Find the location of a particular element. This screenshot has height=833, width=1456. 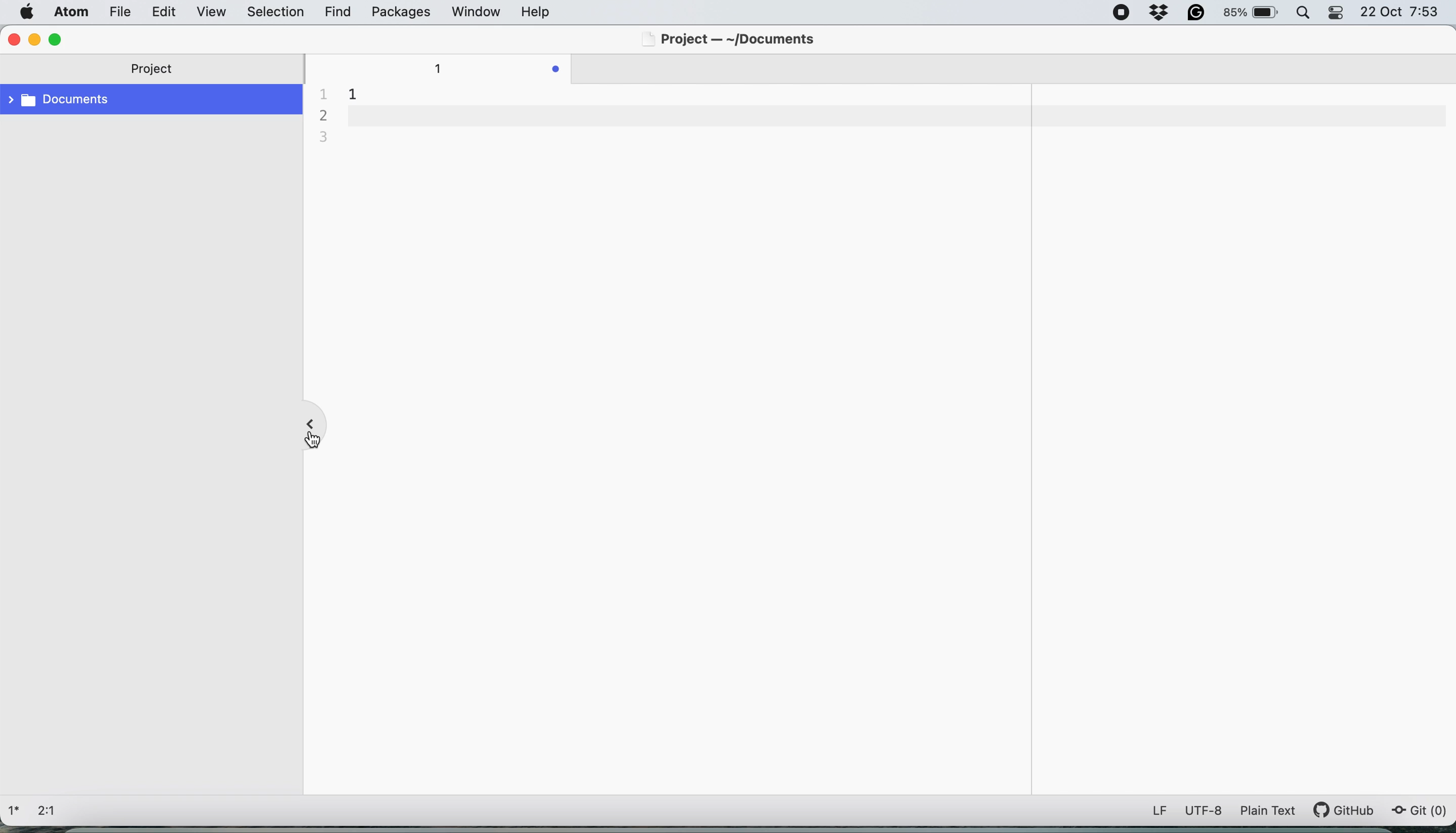

spotlight search is located at coordinates (1304, 13).